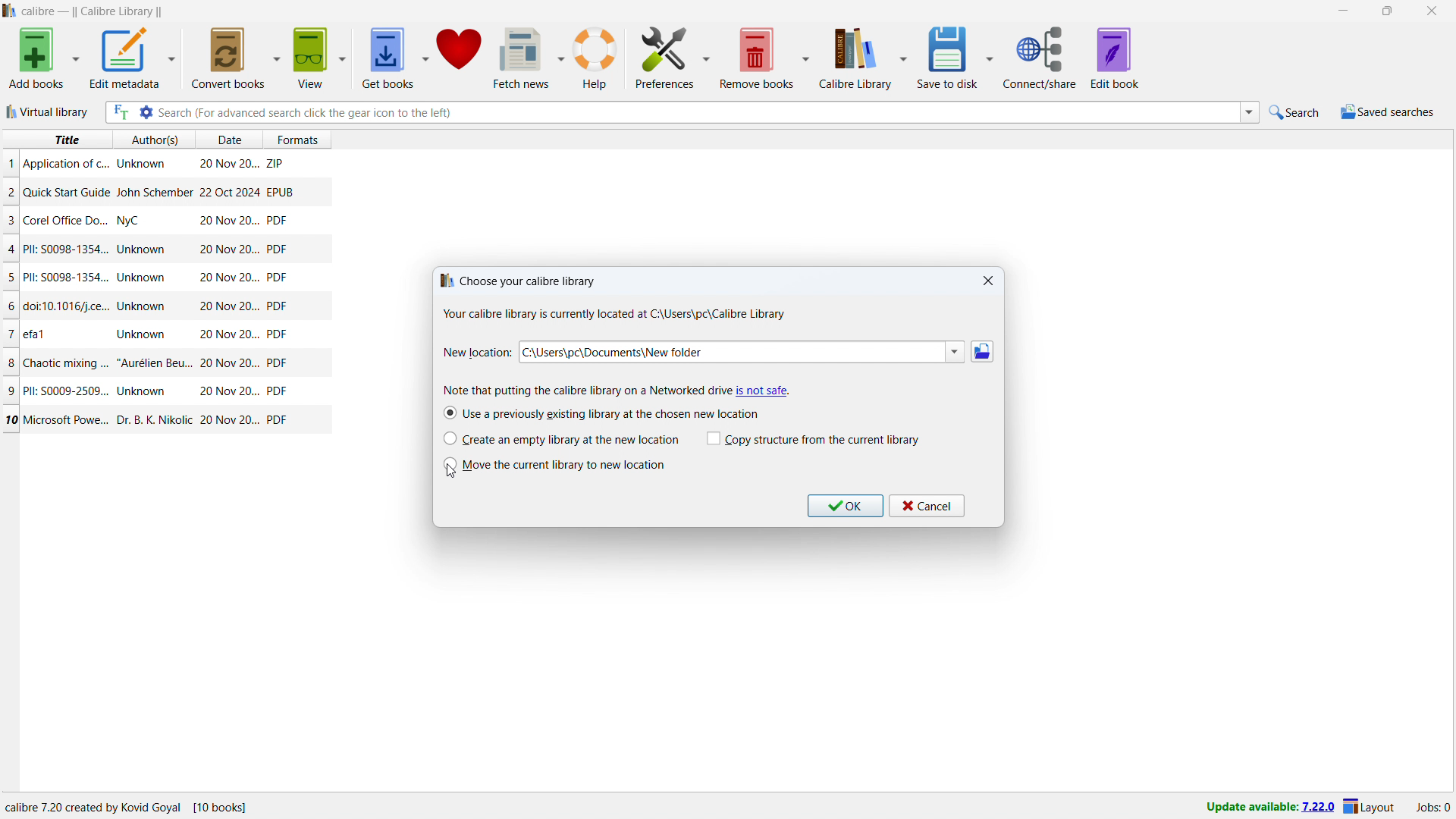 This screenshot has height=819, width=1456. I want to click on 2, so click(11, 194).